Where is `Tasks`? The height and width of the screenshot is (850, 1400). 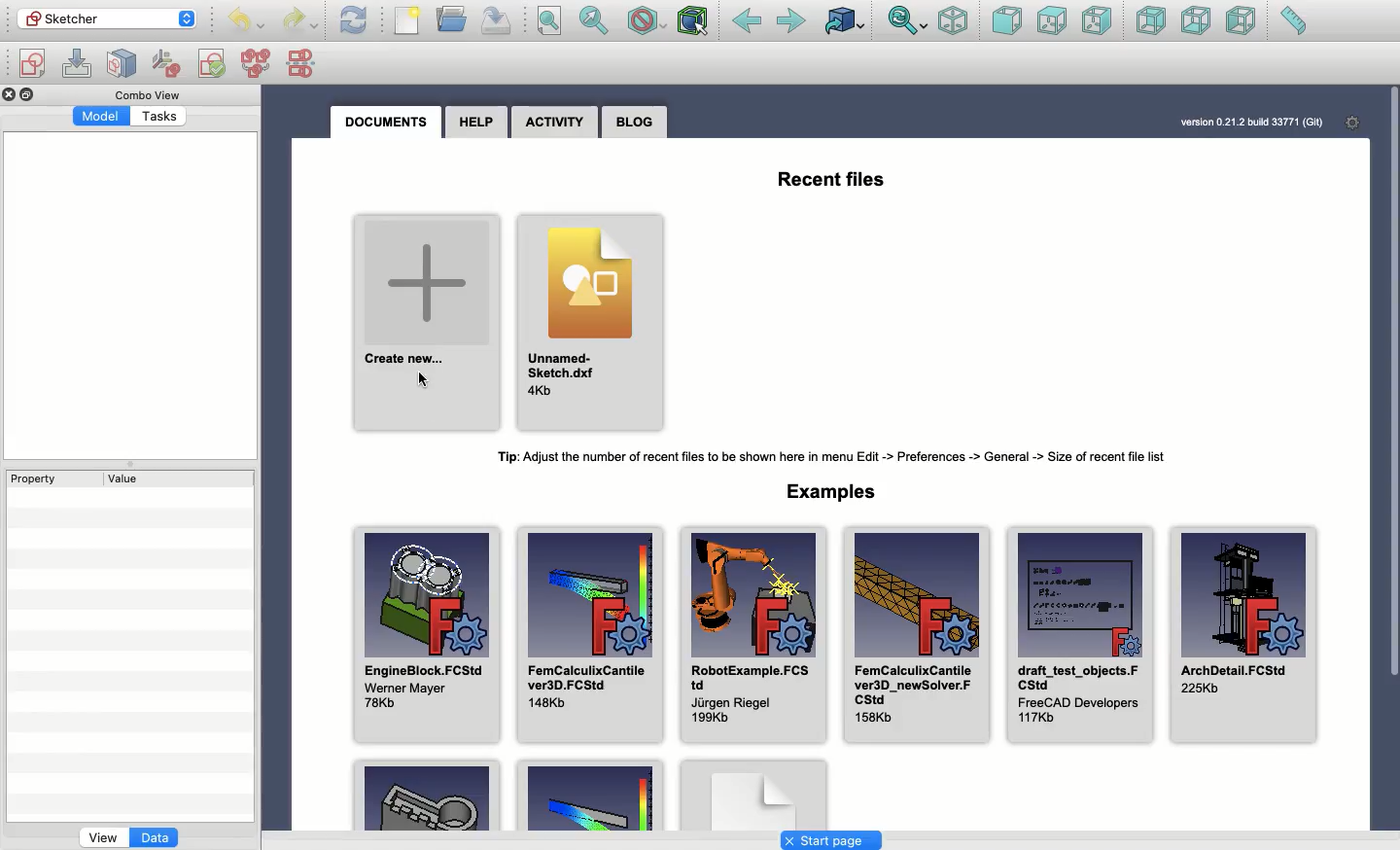
Tasks is located at coordinates (158, 118).